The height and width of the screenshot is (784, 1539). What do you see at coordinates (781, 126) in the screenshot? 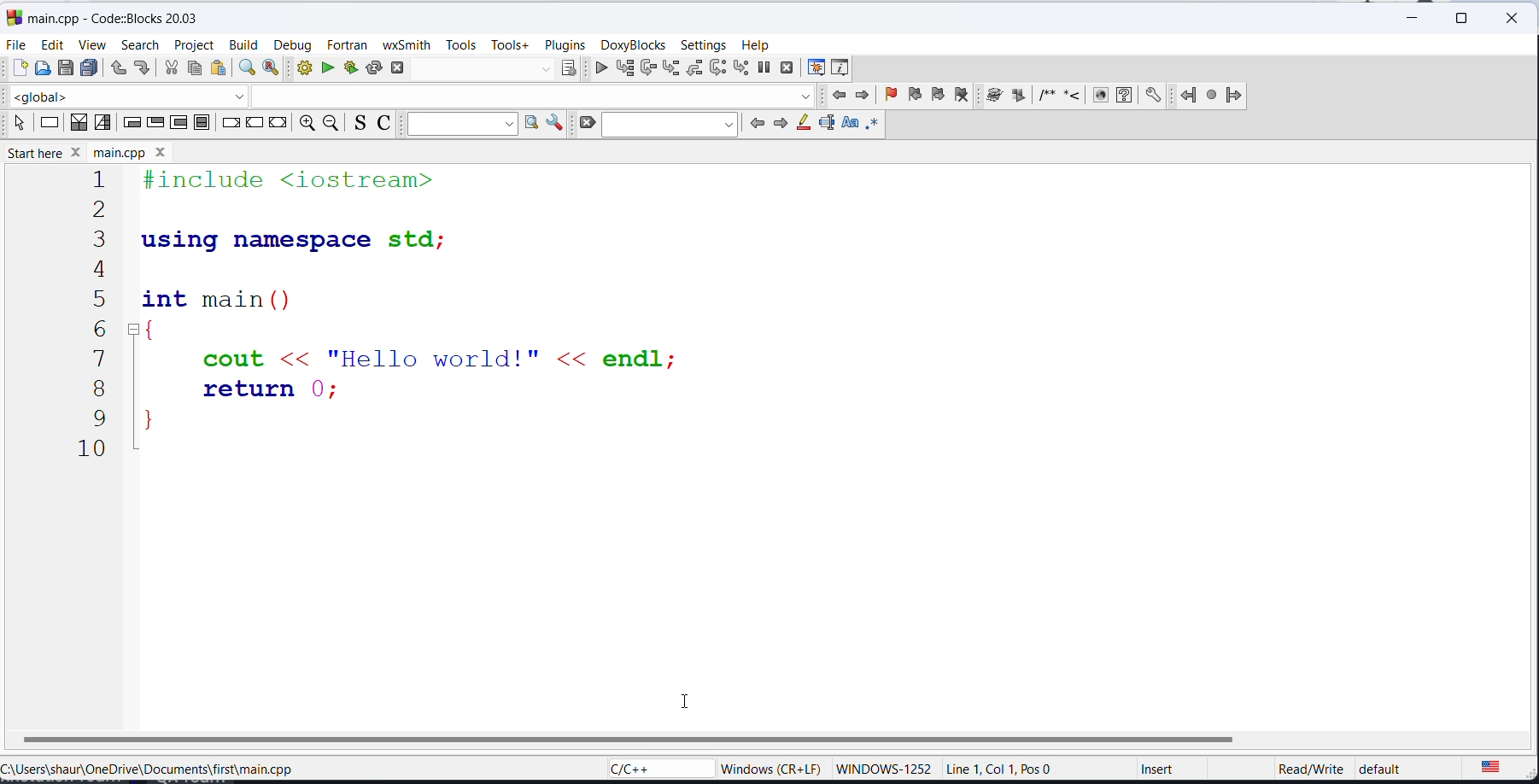
I see `next` at bounding box center [781, 126].